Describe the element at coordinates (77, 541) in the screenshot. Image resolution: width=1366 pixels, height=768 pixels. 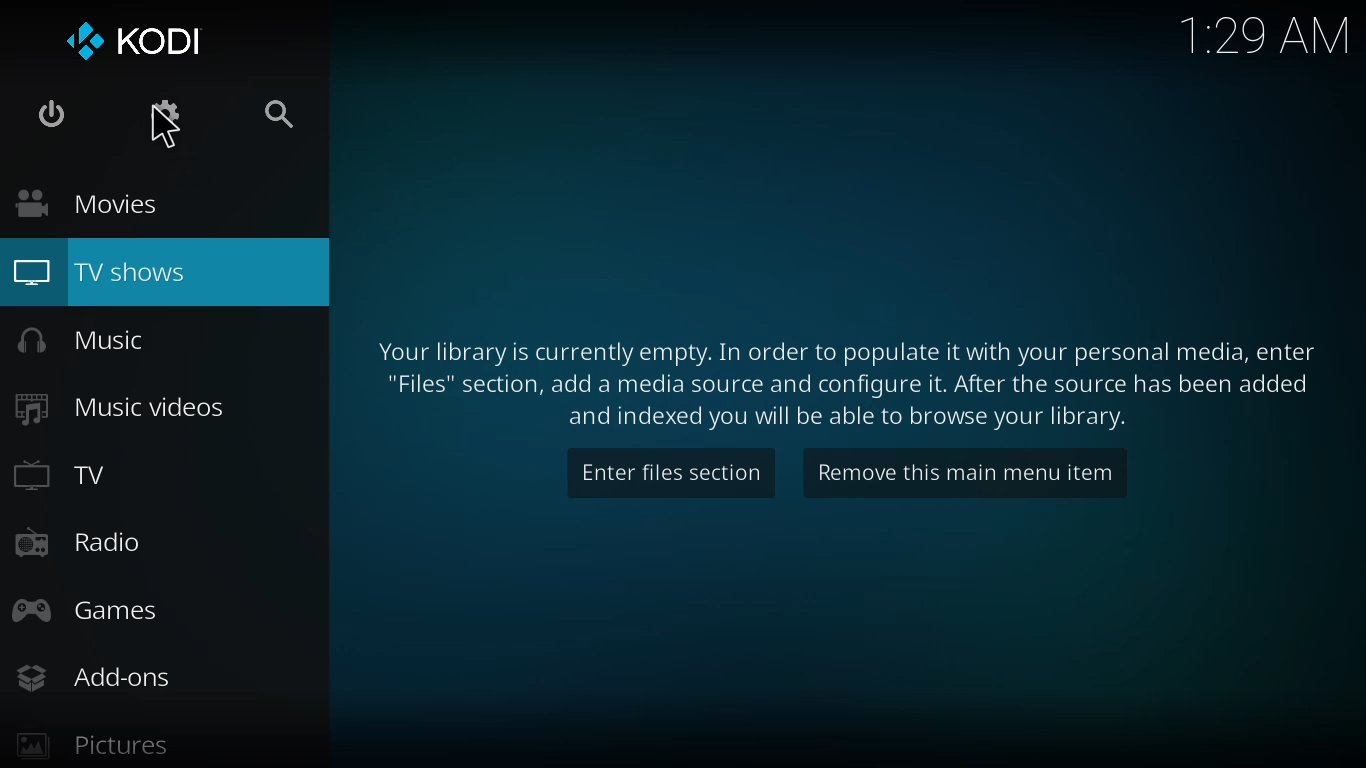
I see `radio` at that location.